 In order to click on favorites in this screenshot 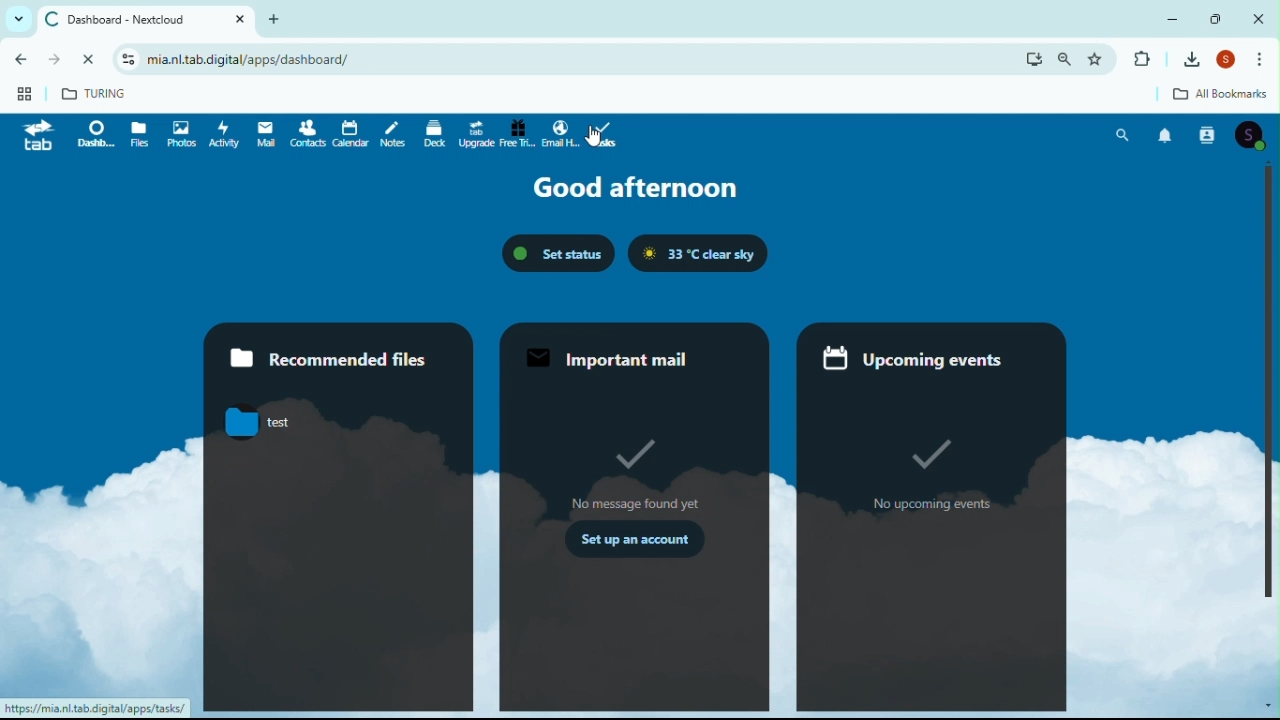, I will do `click(1101, 58)`.